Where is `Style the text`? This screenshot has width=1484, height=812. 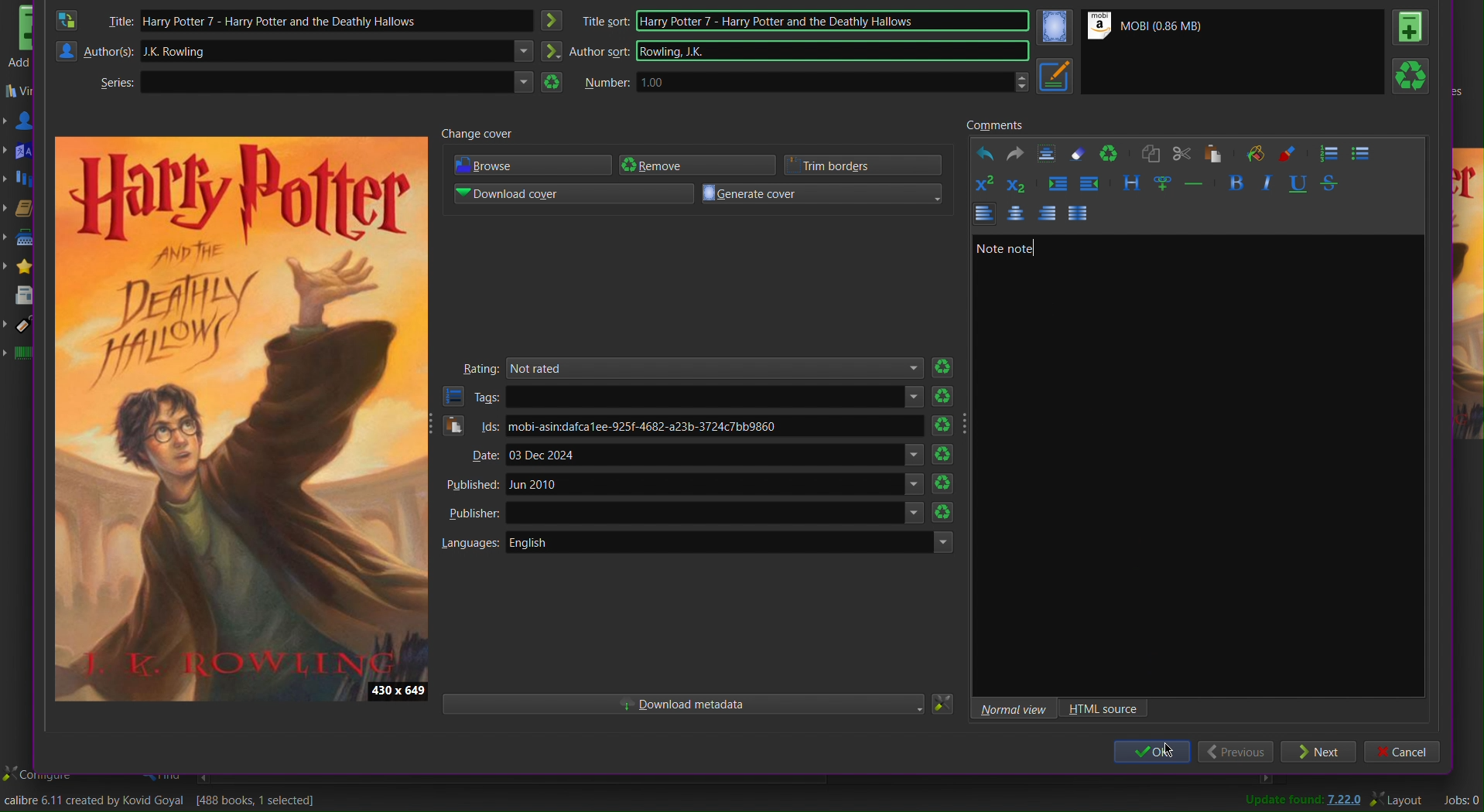 Style the text is located at coordinates (1133, 183).